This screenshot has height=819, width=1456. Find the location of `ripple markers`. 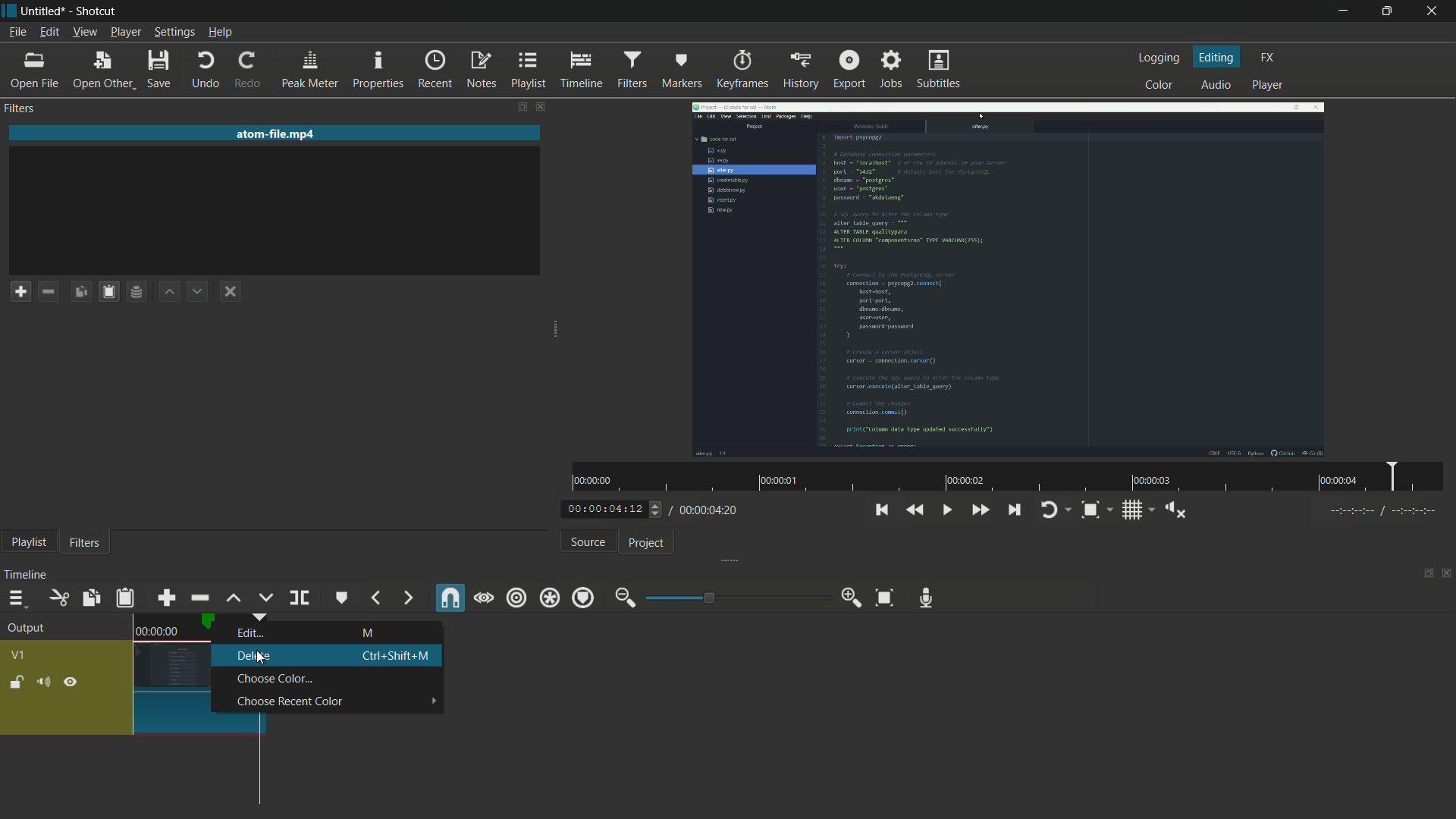

ripple markers is located at coordinates (583, 597).